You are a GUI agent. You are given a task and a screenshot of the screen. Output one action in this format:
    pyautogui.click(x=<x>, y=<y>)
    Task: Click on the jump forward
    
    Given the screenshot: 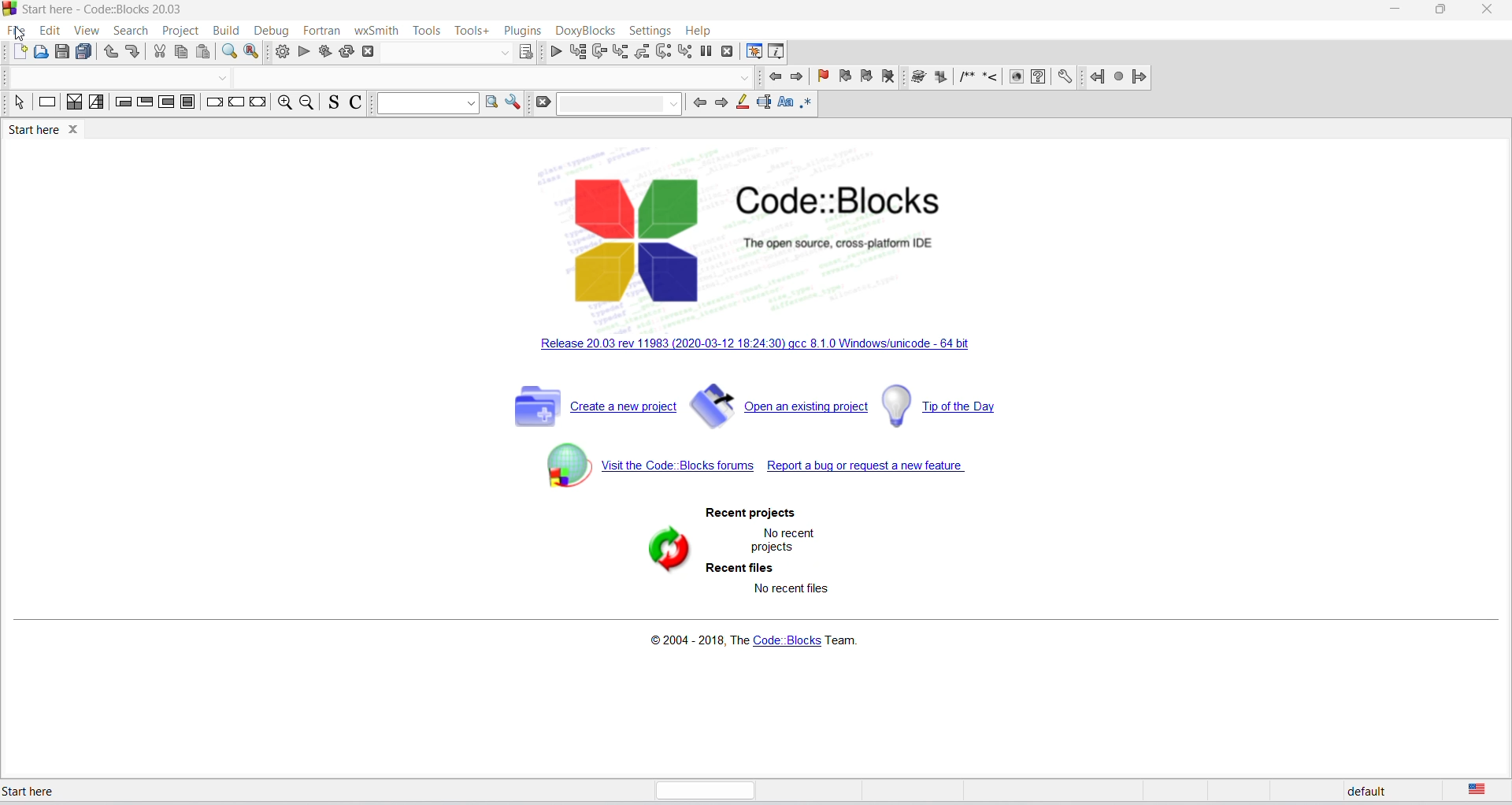 What is the action you would take?
    pyautogui.click(x=1138, y=76)
    